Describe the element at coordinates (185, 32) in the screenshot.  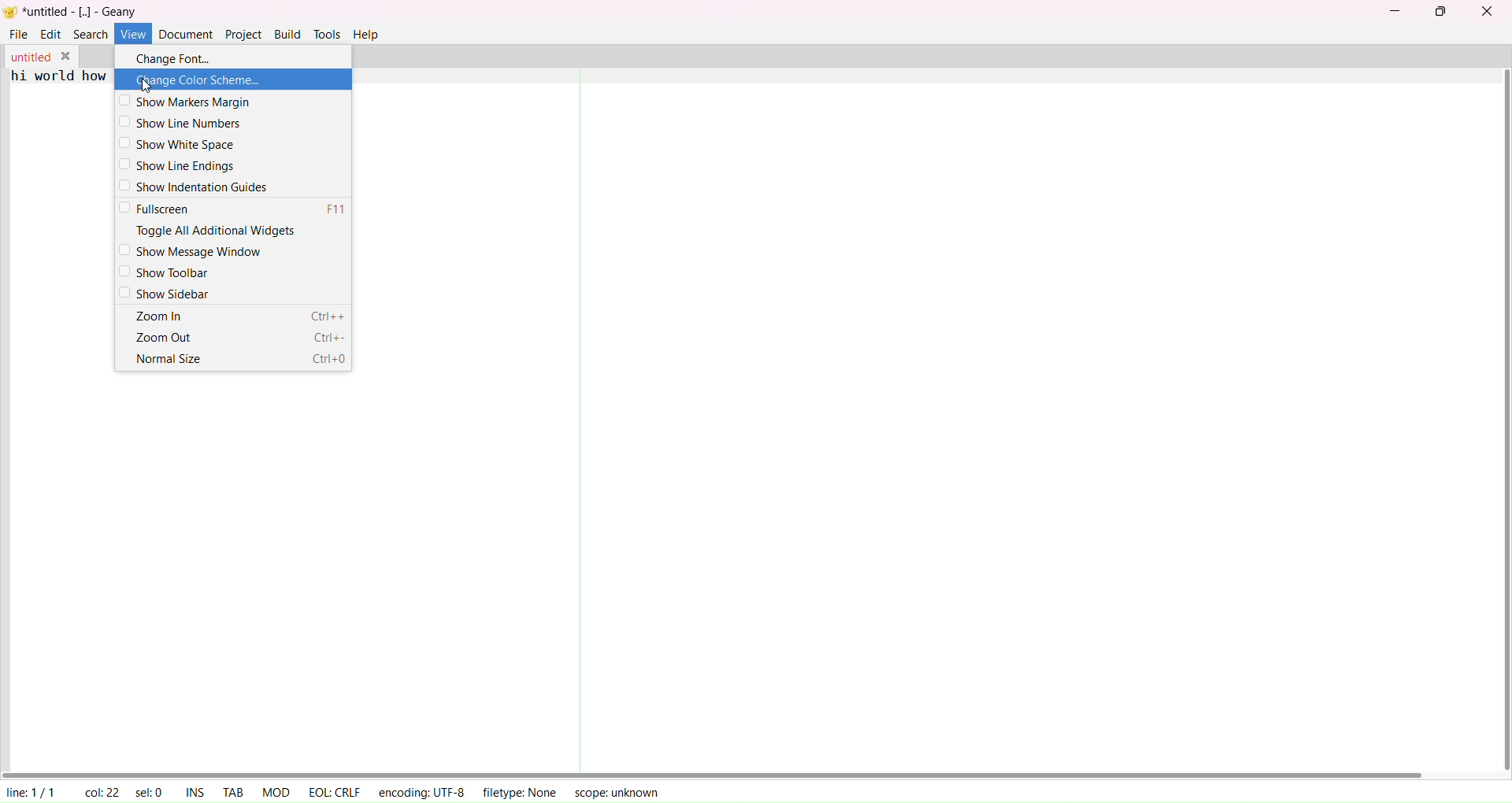
I see `document` at that location.